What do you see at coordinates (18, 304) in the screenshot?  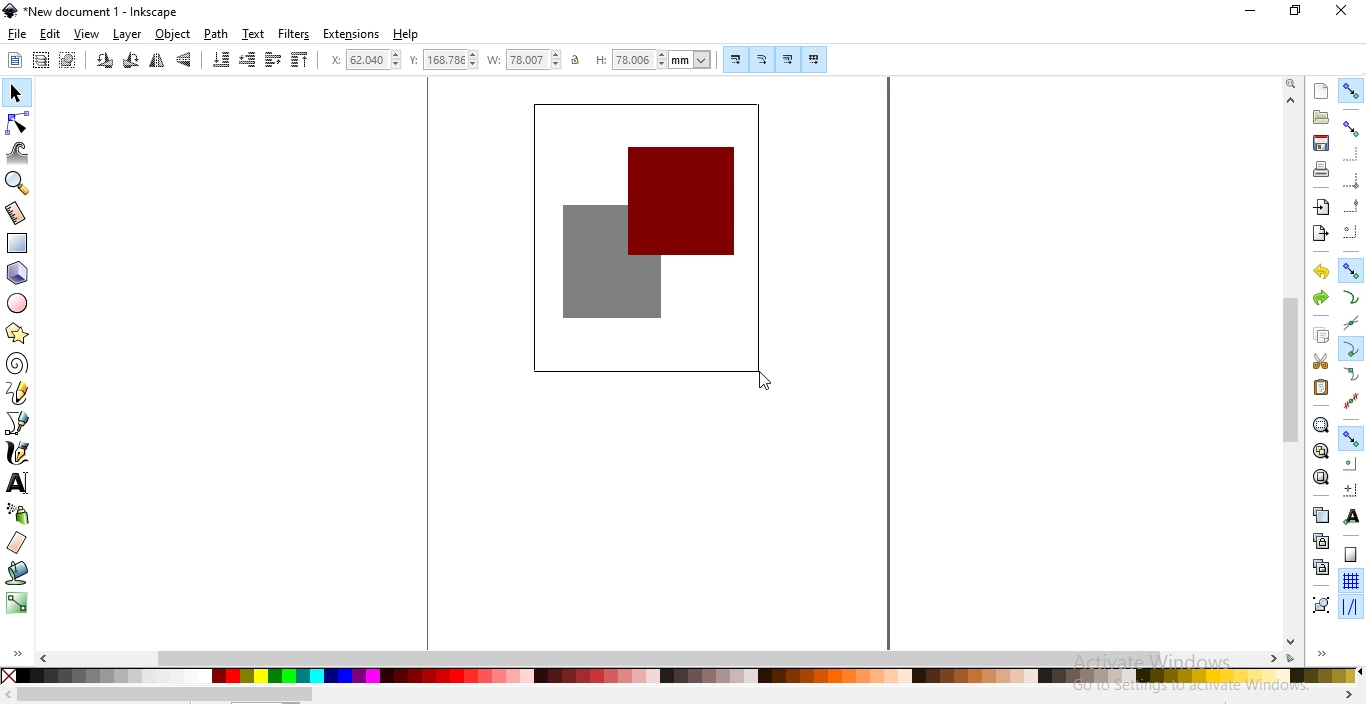 I see `create circles, arcs and ellipses` at bounding box center [18, 304].